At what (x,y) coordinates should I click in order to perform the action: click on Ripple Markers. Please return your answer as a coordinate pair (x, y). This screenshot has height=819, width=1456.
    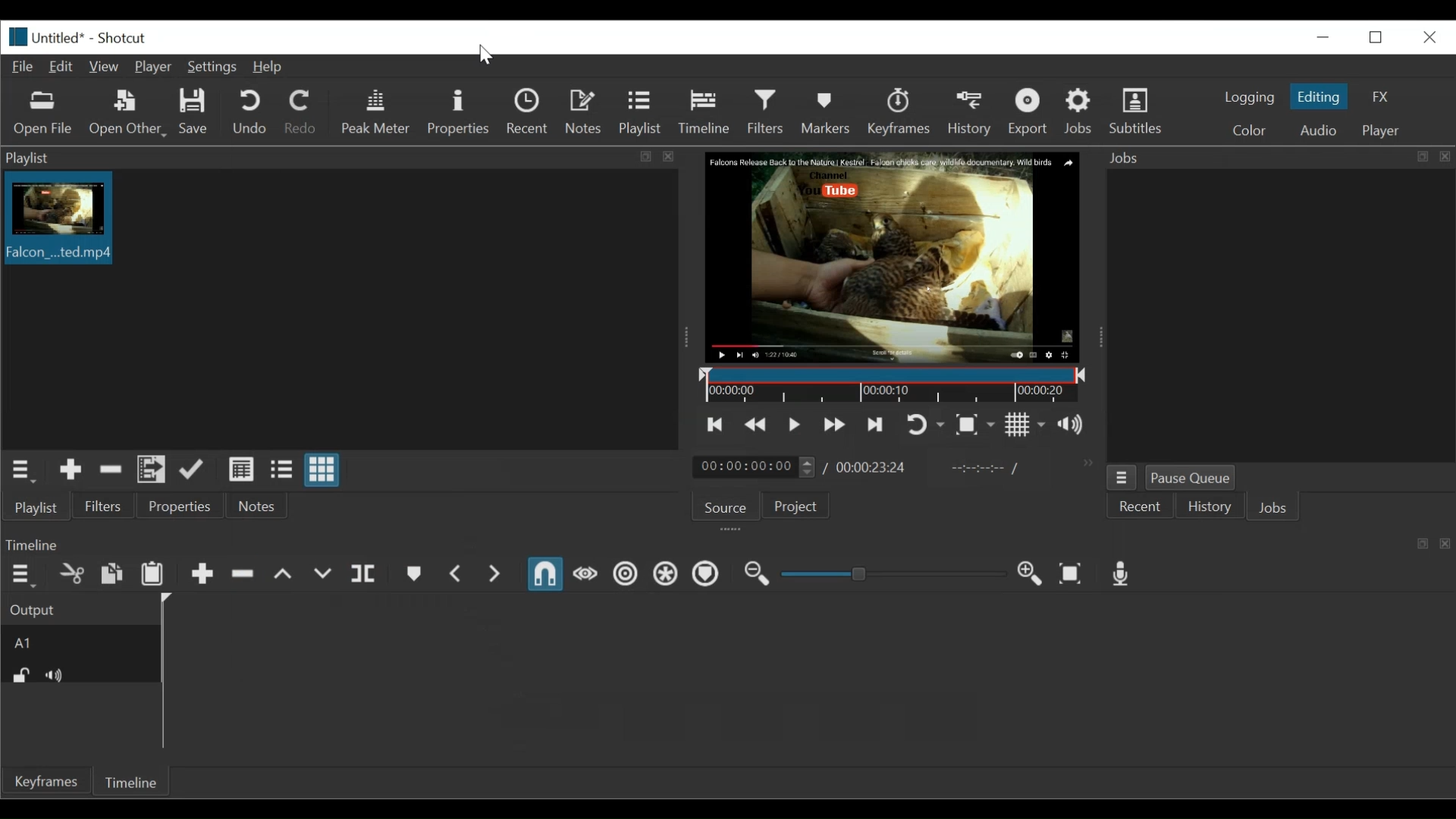
    Looking at the image, I should click on (708, 576).